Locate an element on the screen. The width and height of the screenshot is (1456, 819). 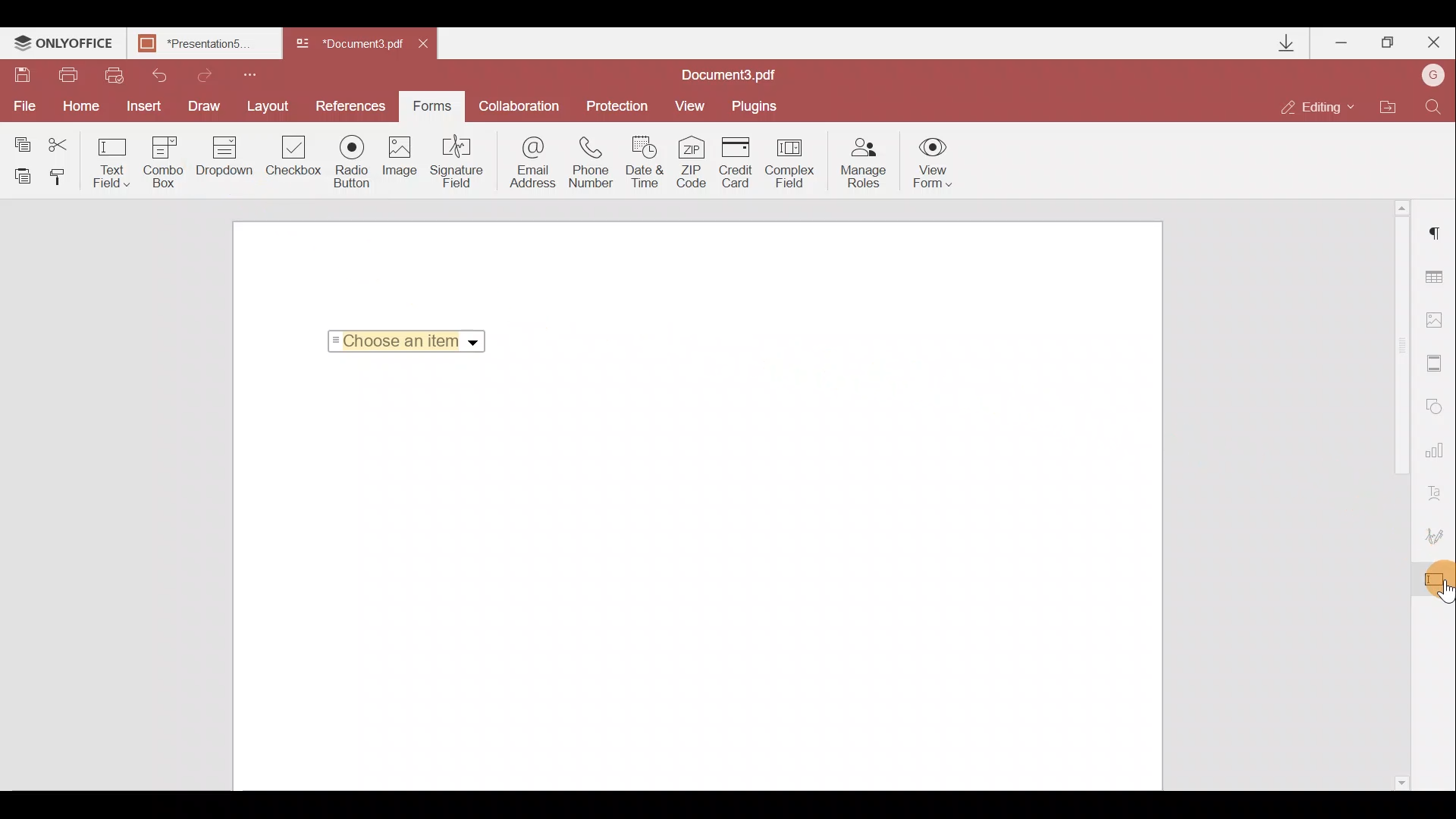
Scroll bar is located at coordinates (1397, 495).